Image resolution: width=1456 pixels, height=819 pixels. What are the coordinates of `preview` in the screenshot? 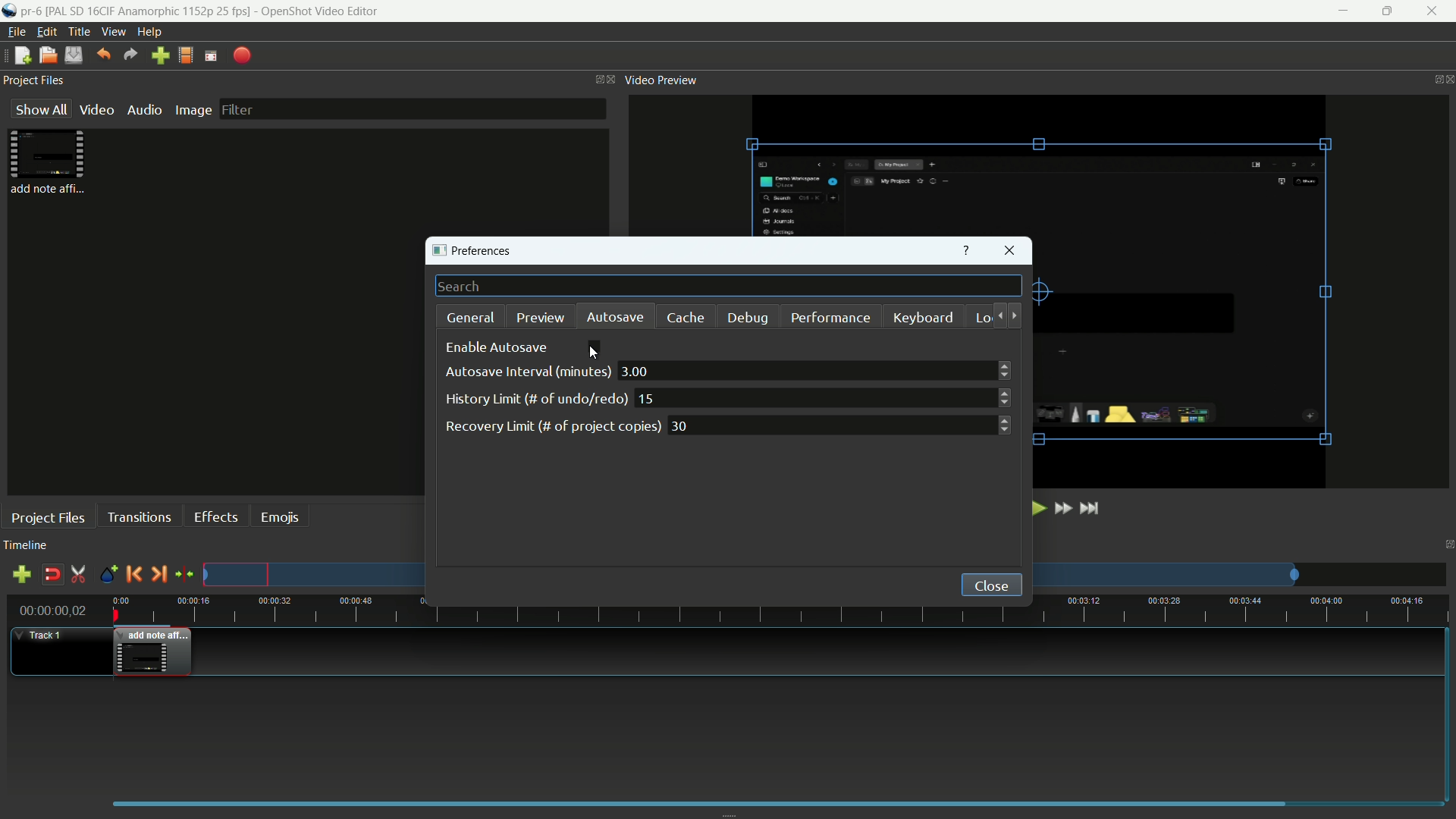 It's located at (538, 319).